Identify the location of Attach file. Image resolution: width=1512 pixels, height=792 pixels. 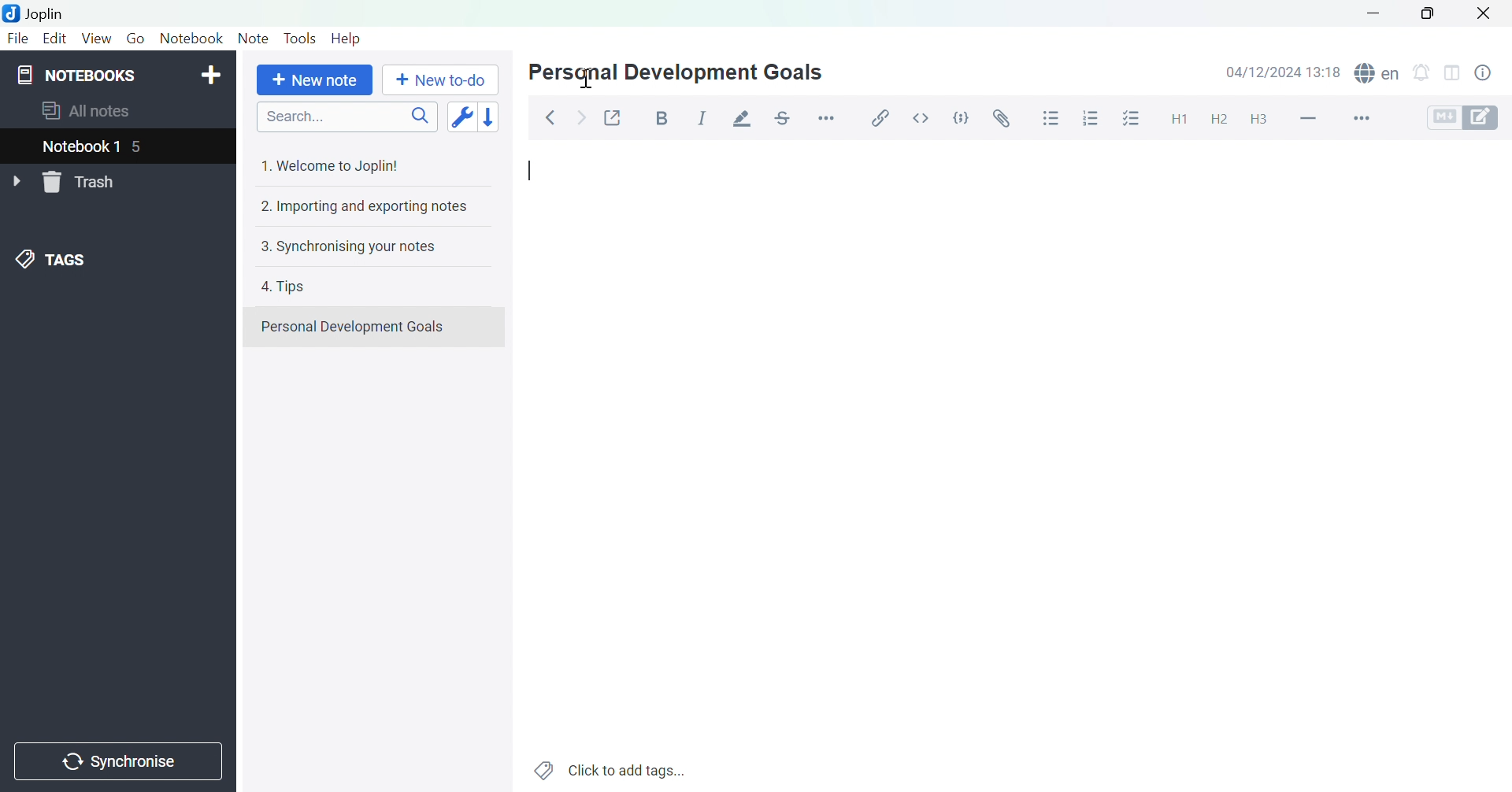
(999, 119).